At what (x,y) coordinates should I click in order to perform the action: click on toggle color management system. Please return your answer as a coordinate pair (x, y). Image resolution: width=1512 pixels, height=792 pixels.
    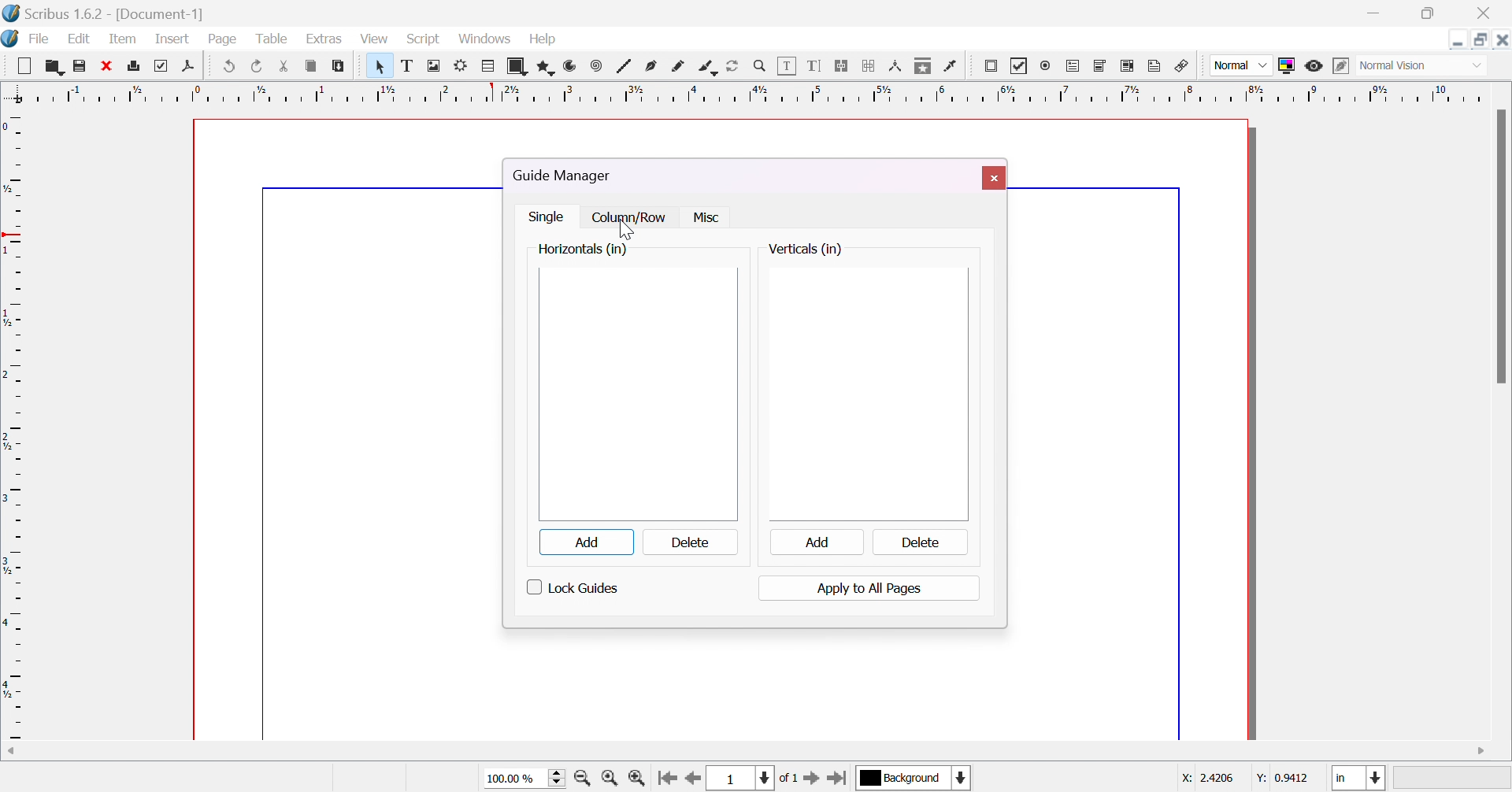
    Looking at the image, I should click on (1290, 65).